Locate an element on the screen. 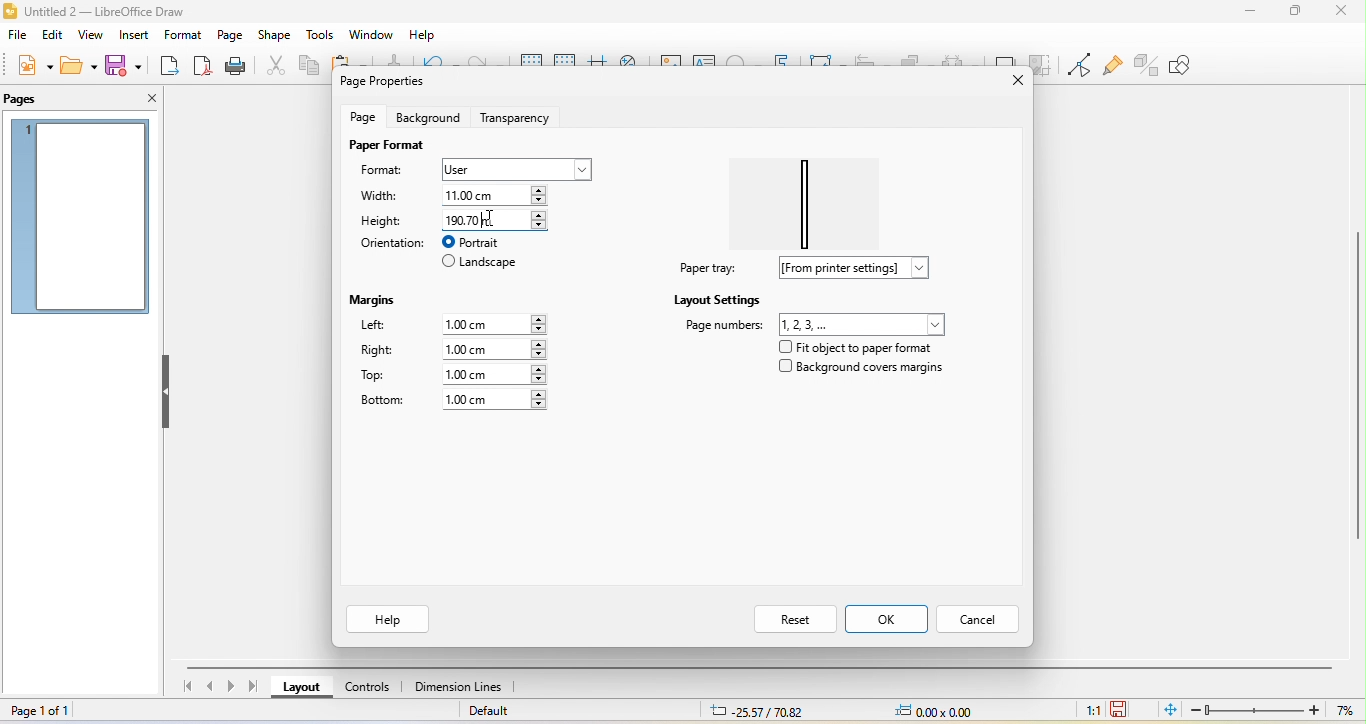 The image size is (1366, 724). click to save the document is located at coordinates (1120, 708).